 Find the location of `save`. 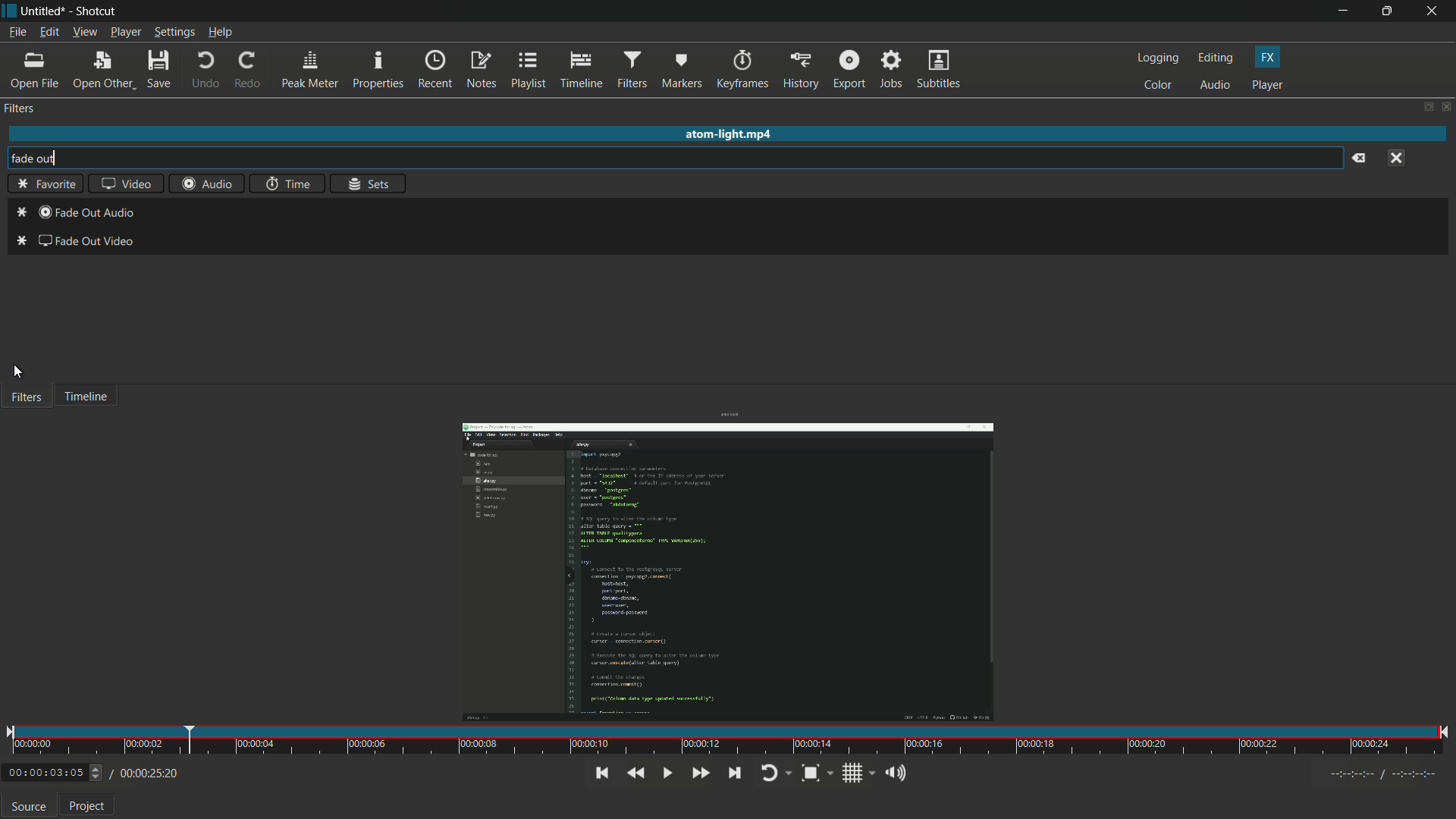

save is located at coordinates (160, 70).